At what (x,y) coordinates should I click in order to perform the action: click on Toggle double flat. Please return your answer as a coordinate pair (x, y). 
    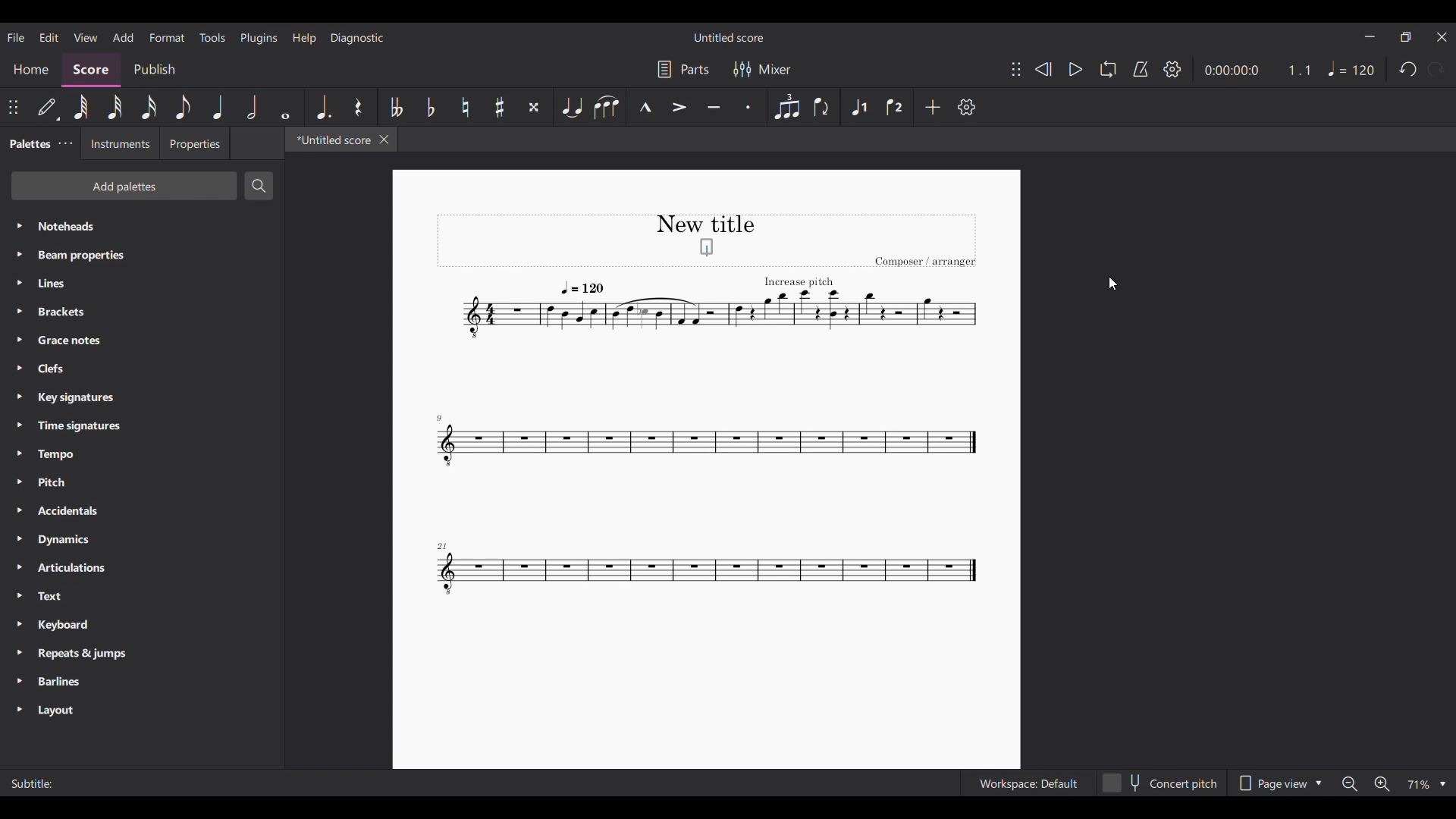
    Looking at the image, I should click on (395, 108).